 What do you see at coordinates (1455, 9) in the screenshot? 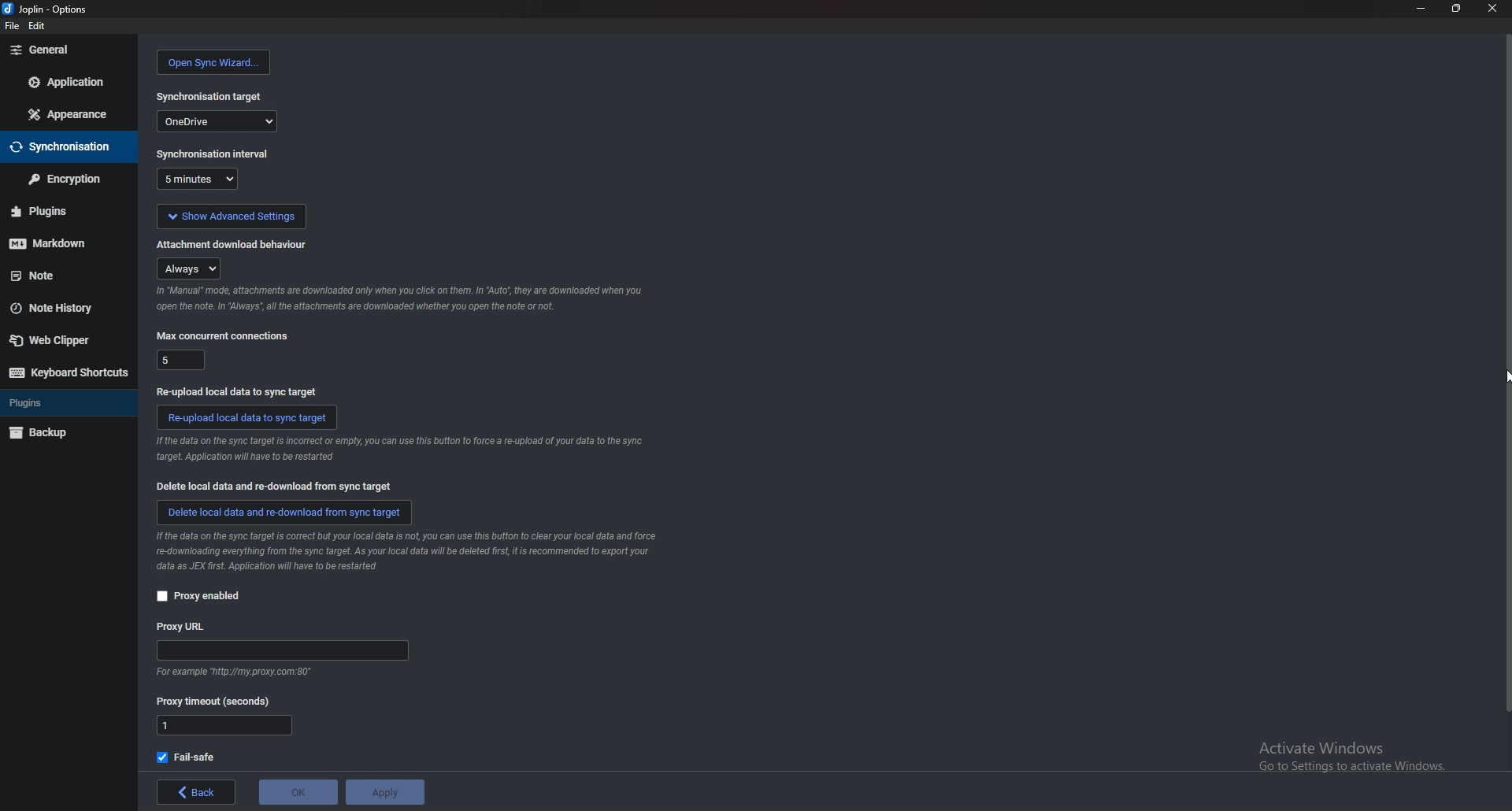
I see `resize` at bounding box center [1455, 9].